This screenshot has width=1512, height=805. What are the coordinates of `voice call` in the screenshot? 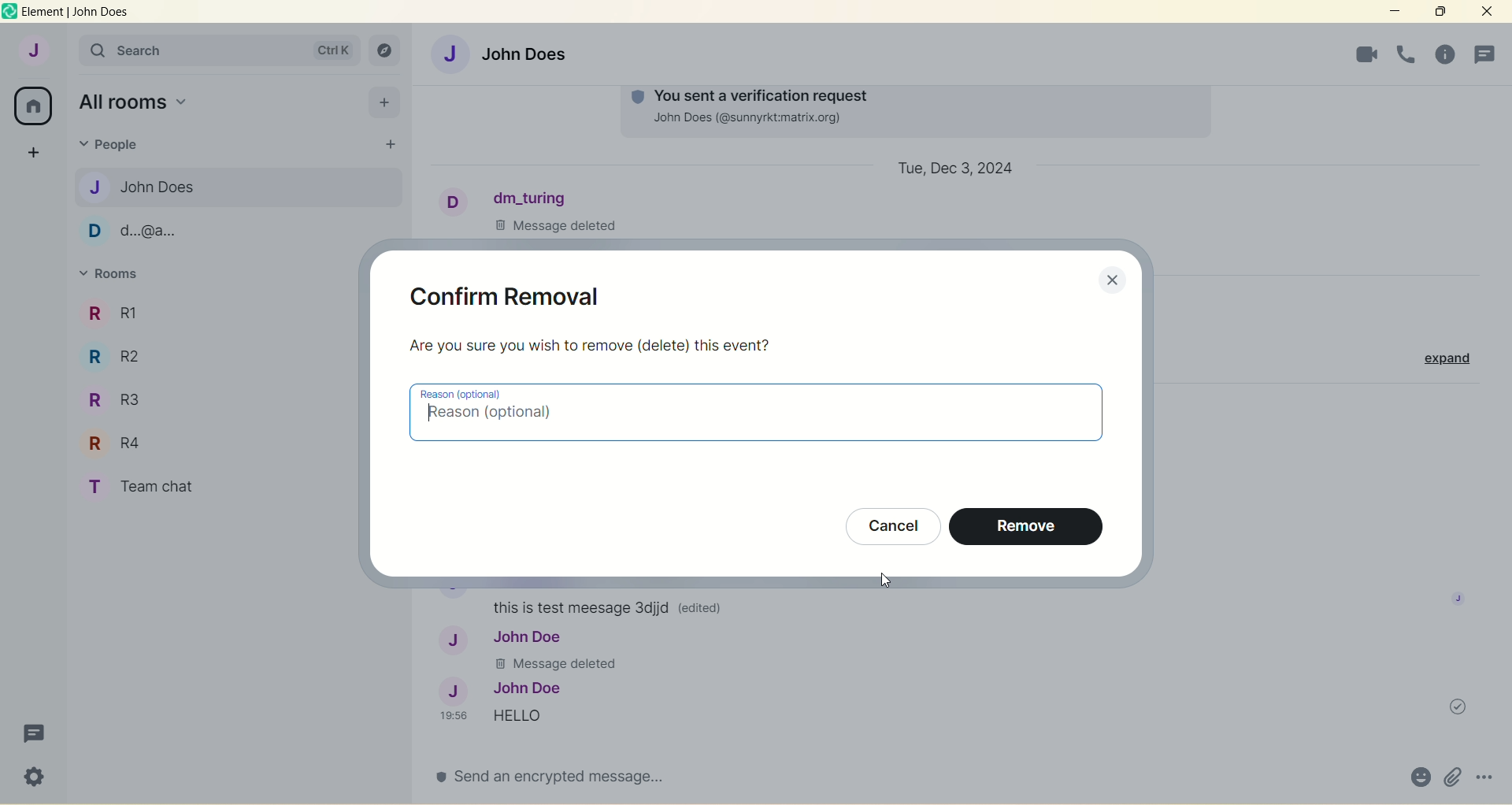 It's located at (1358, 54).